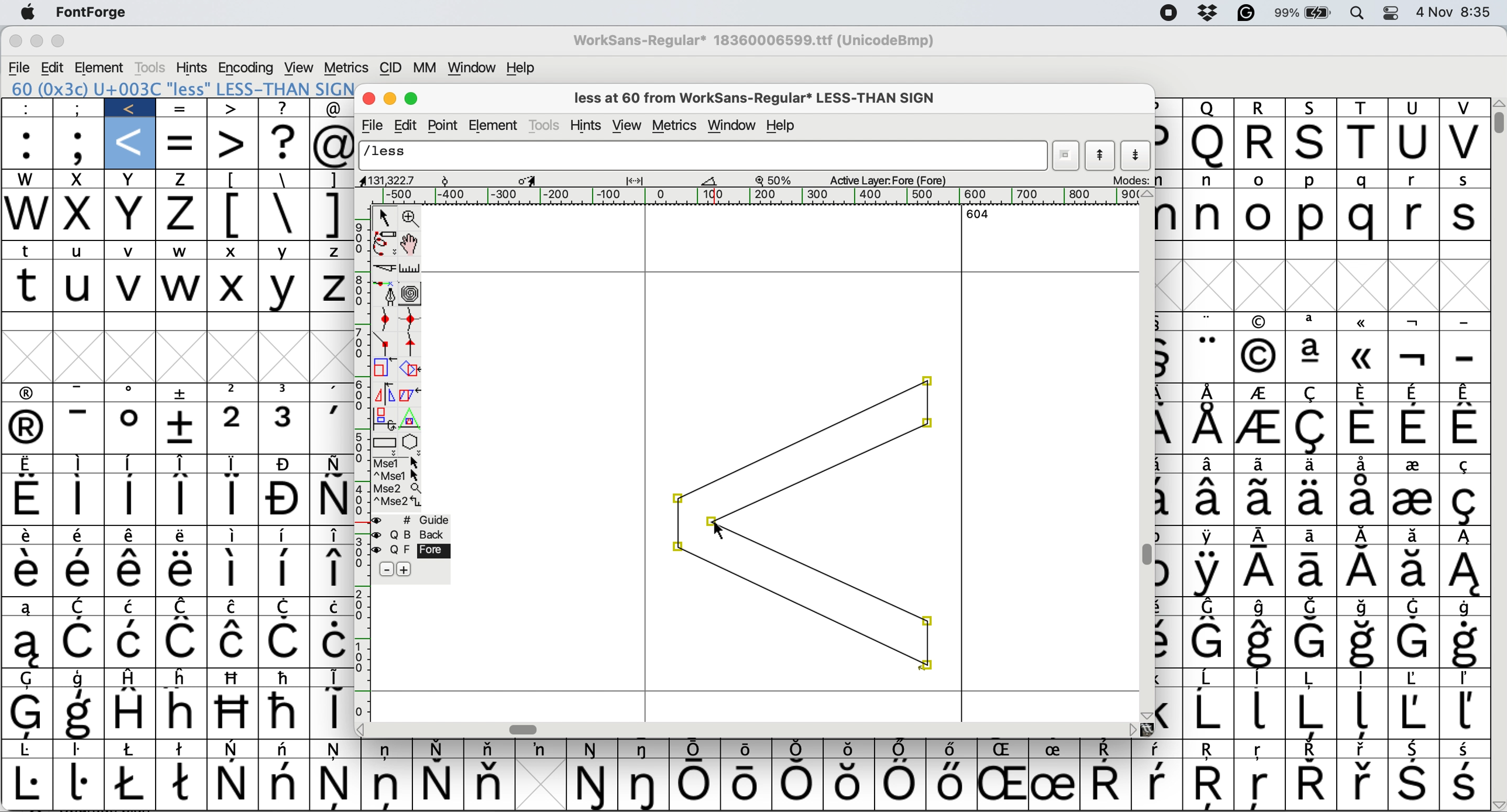  What do you see at coordinates (1309, 394) in the screenshot?
I see `Symbol` at bounding box center [1309, 394].